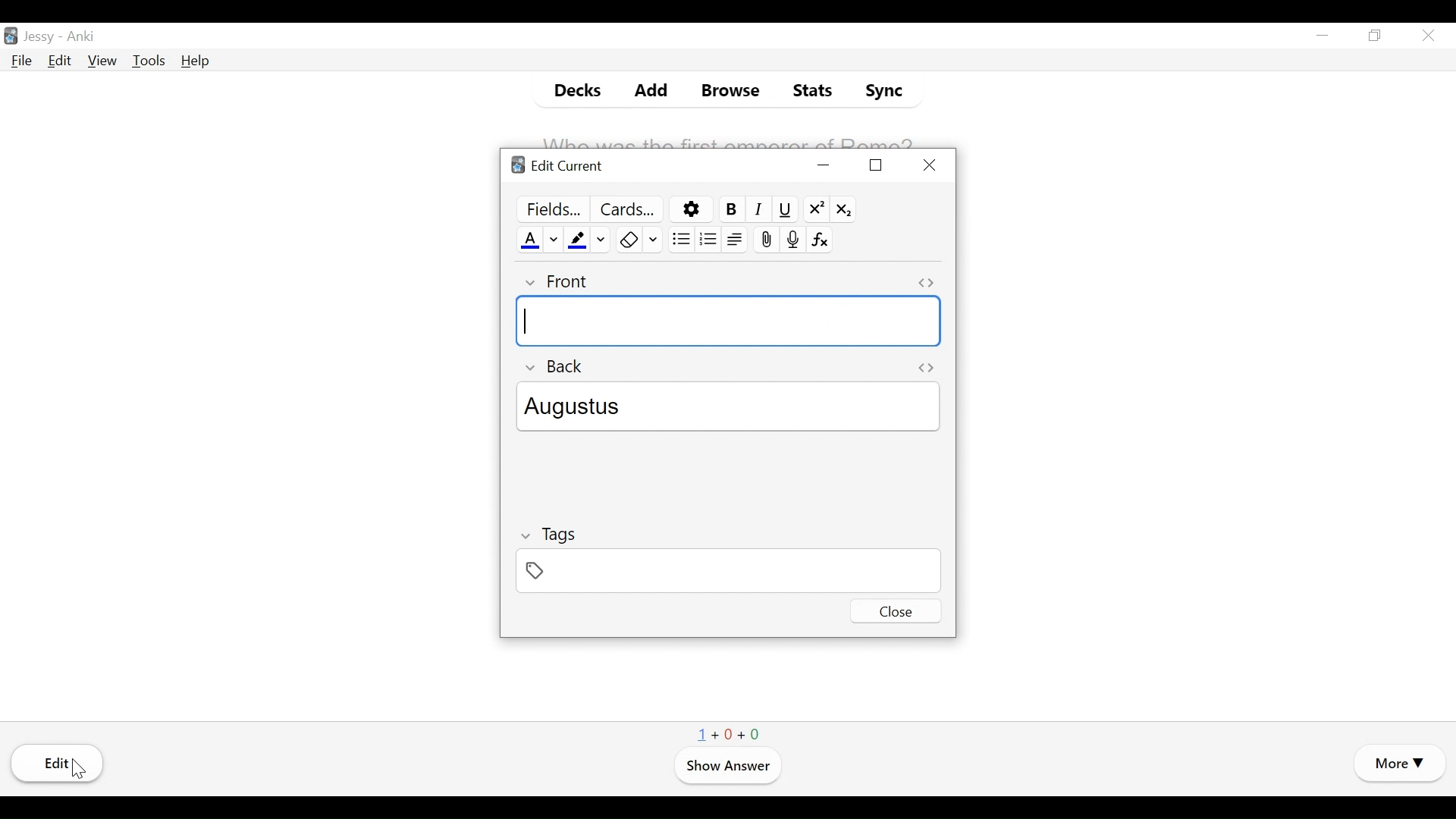  Describe the element at coordinates (784, 209) in the screenshot. I see `Underline` at that location.